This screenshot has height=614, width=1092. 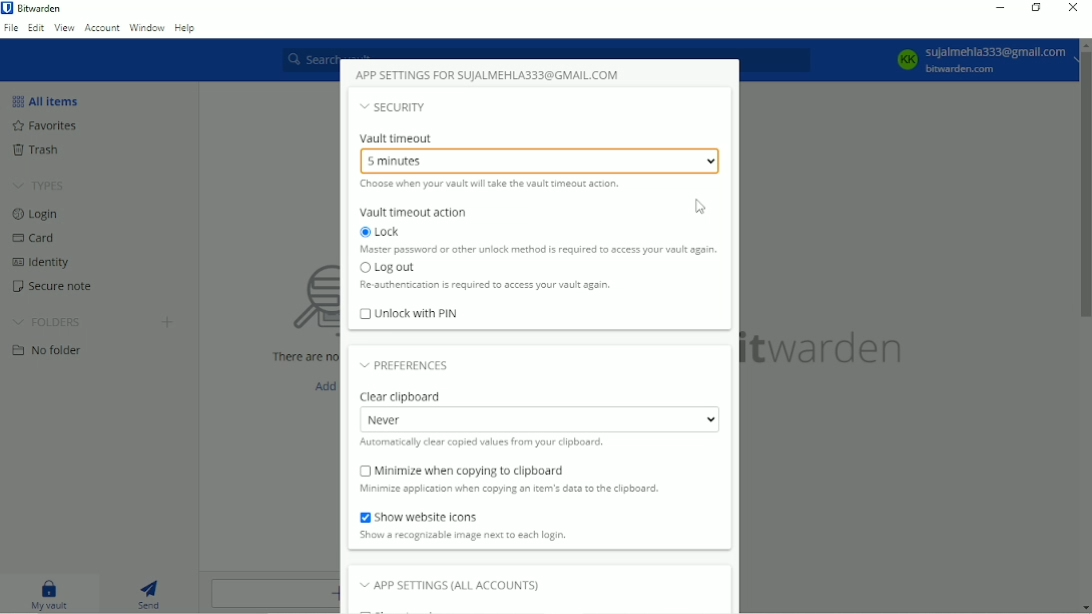 What do you see at coordinates (378, 231) in the screenshot?
I see `Lock` at bounding box center [378, 231].